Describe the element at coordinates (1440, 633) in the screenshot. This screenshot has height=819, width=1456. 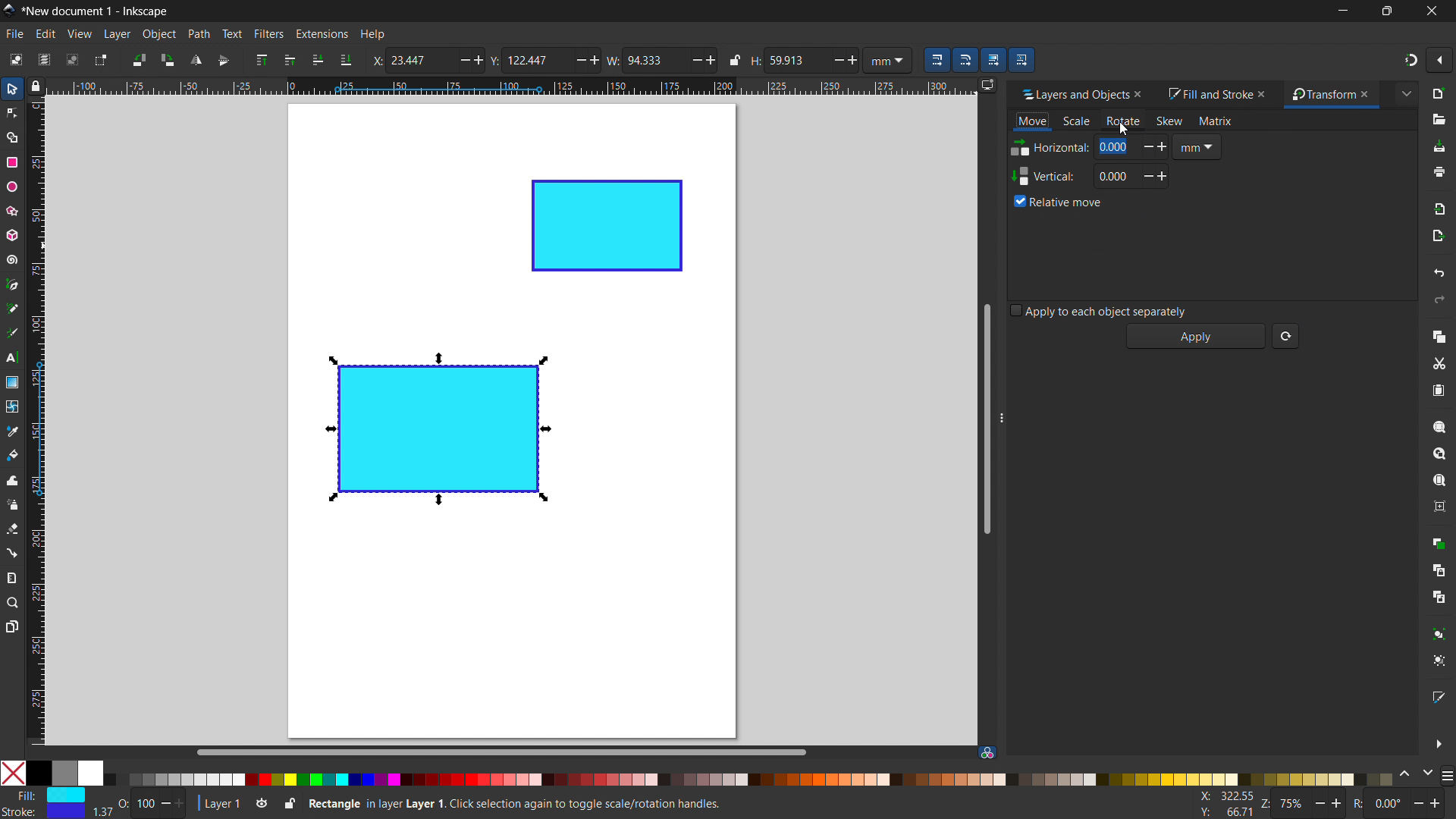
I see `group` at that location.